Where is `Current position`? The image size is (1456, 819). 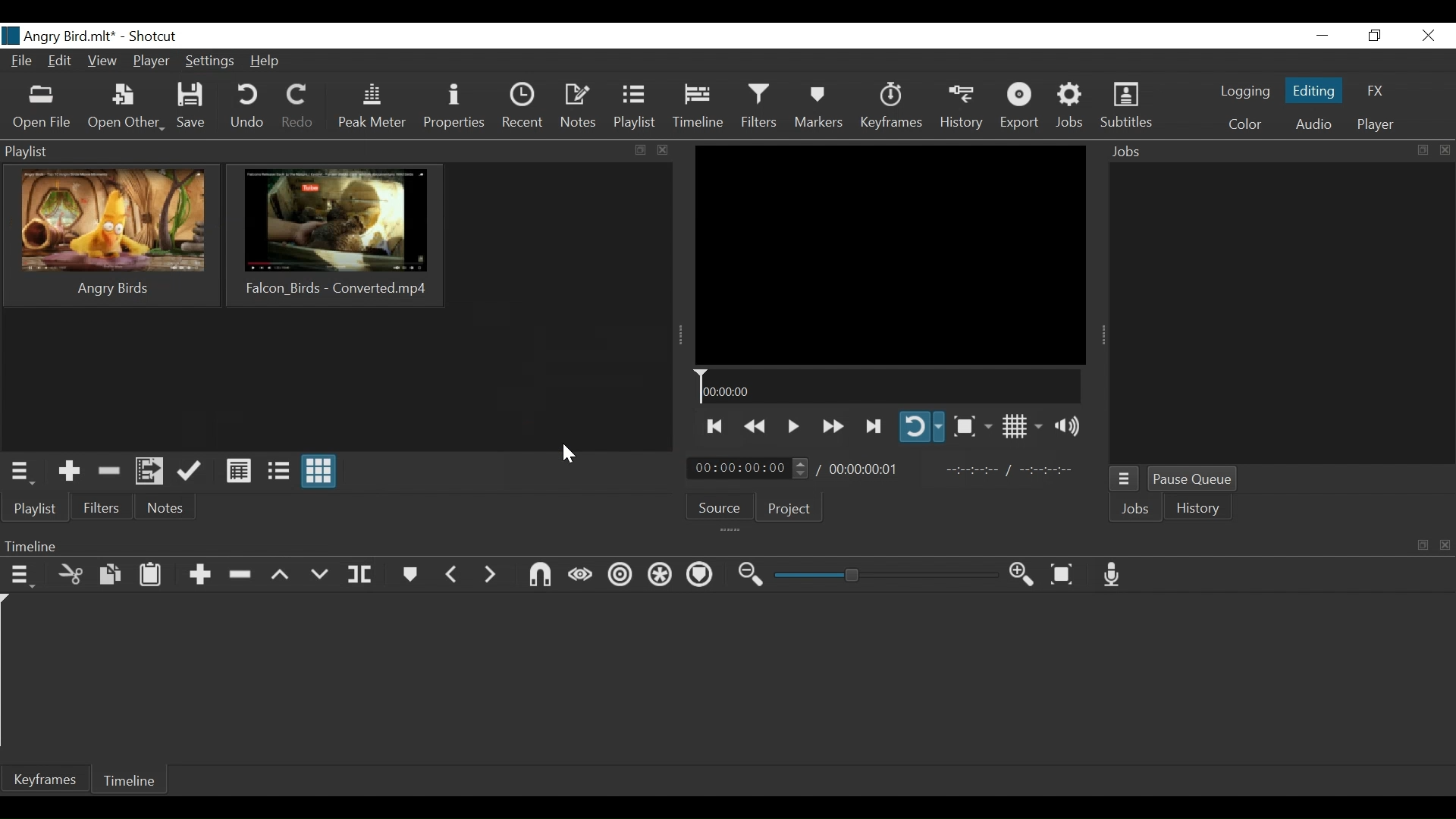 Current position is located at coordinates (748, 469).